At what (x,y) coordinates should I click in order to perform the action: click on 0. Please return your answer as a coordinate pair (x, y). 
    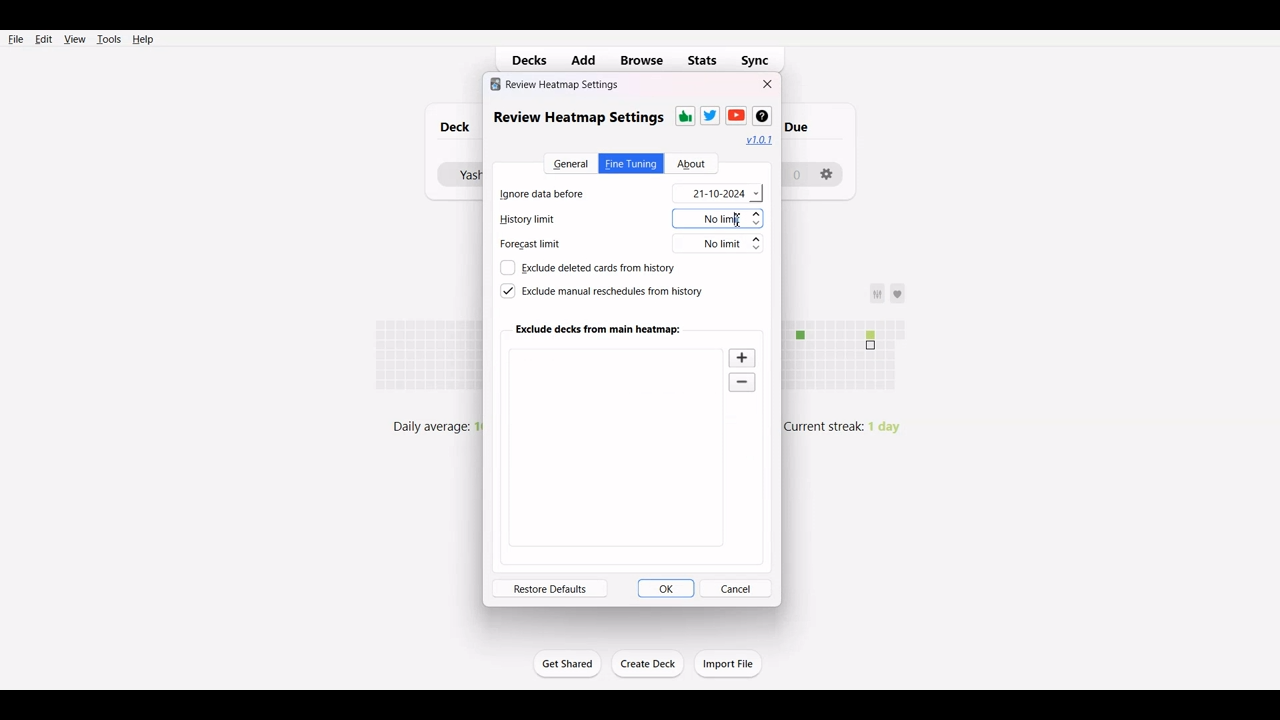
    Looking at the image, I should click on (795, 173).